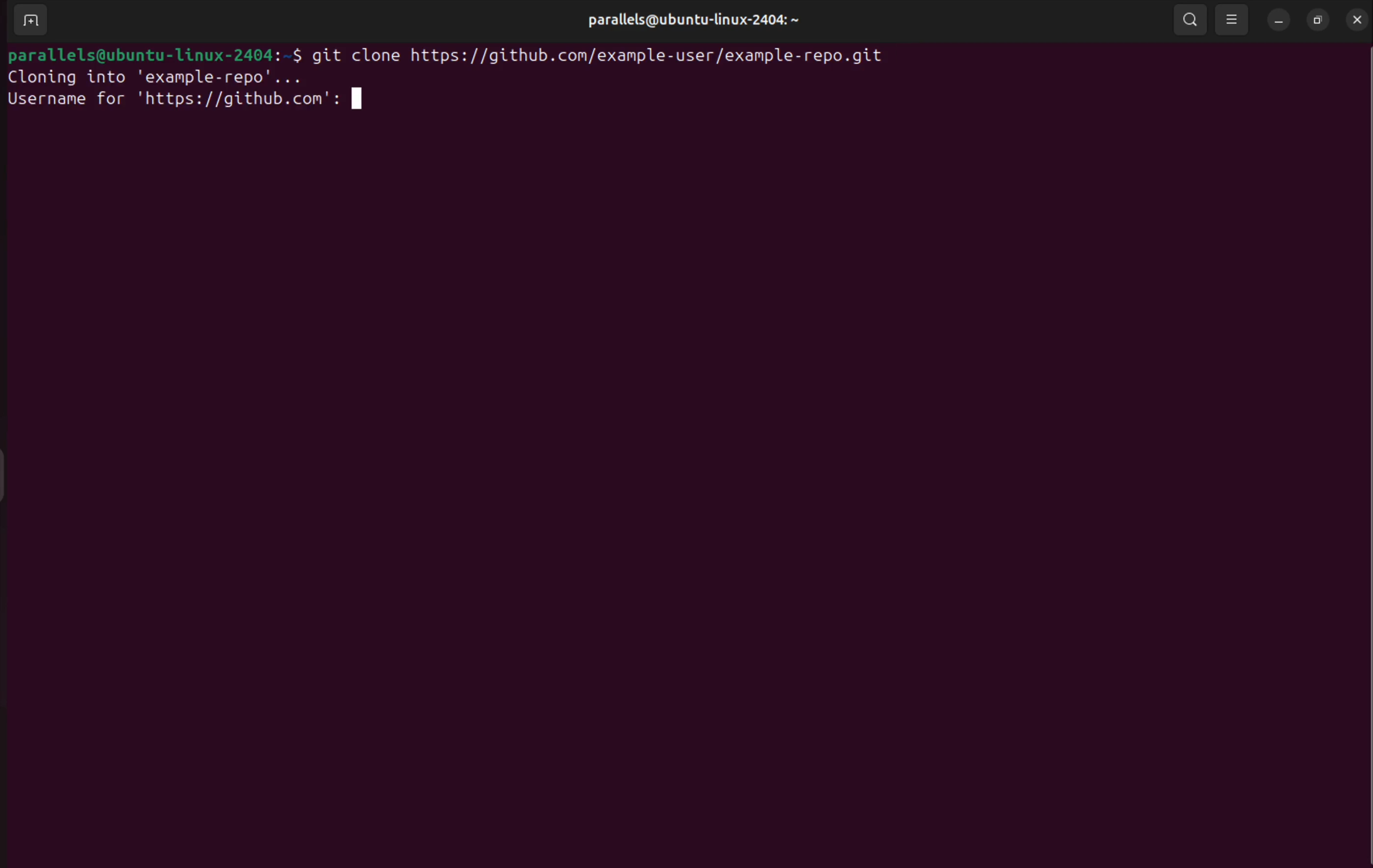 The image size is (1373, 868). Describe the element at coordinates (689, 20) in the screenshot. I see `parallels` at that location.